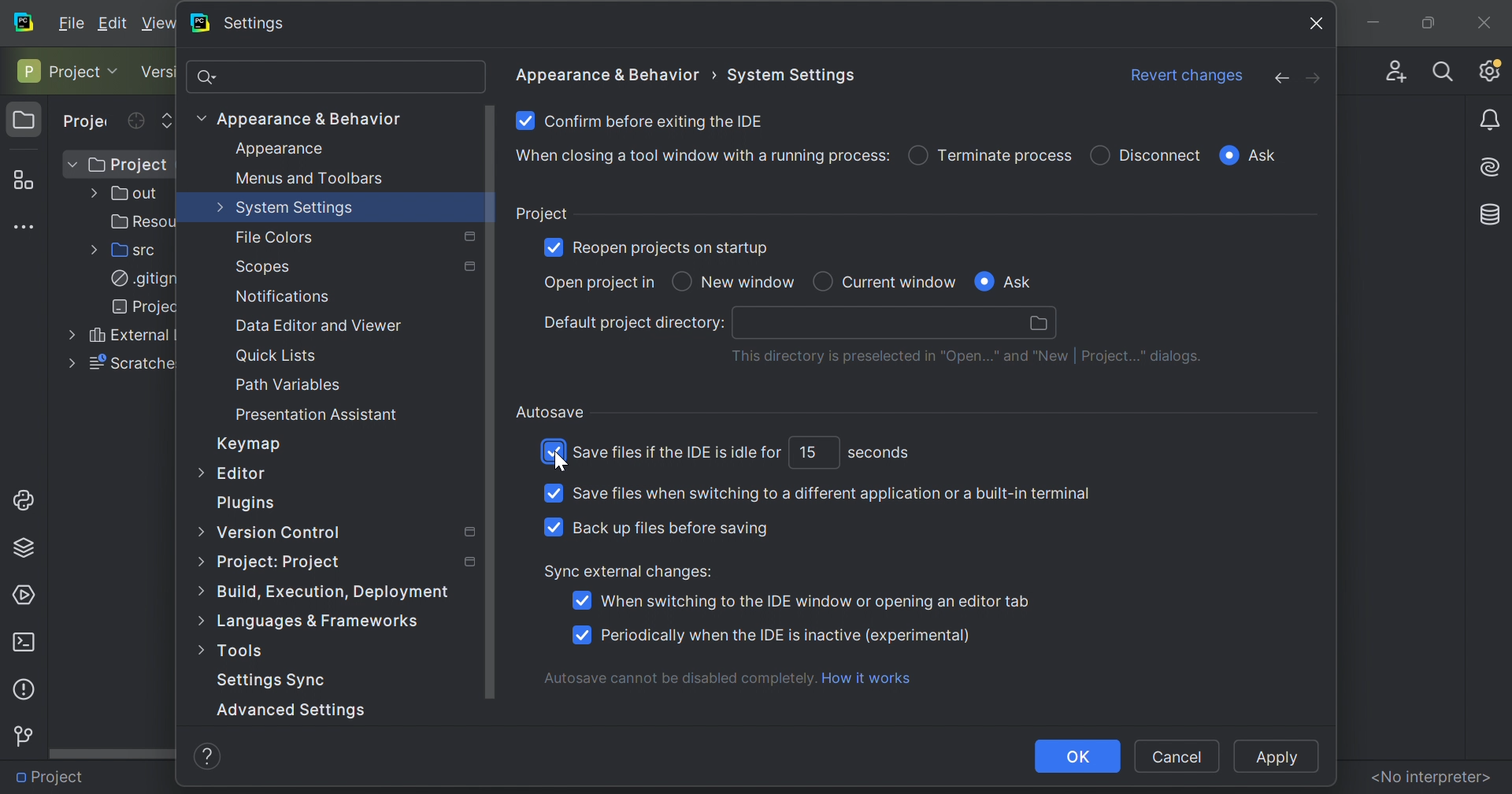 The width and height of the screenshot is (1512, 794). I want to click on help icon, so click(209, 758).